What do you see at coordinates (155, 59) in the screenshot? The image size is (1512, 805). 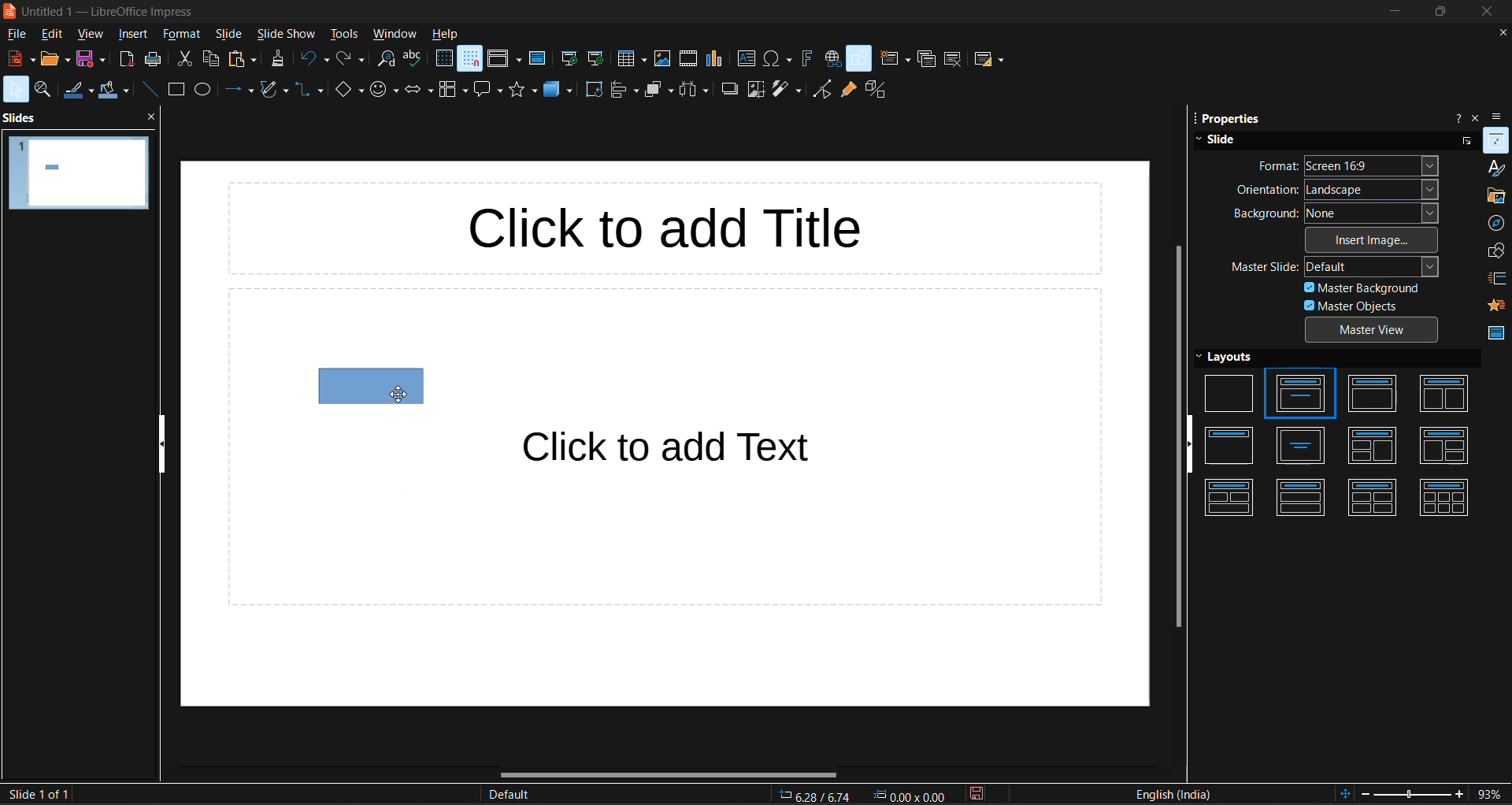 I see `print` at bounding box center [155, 59].